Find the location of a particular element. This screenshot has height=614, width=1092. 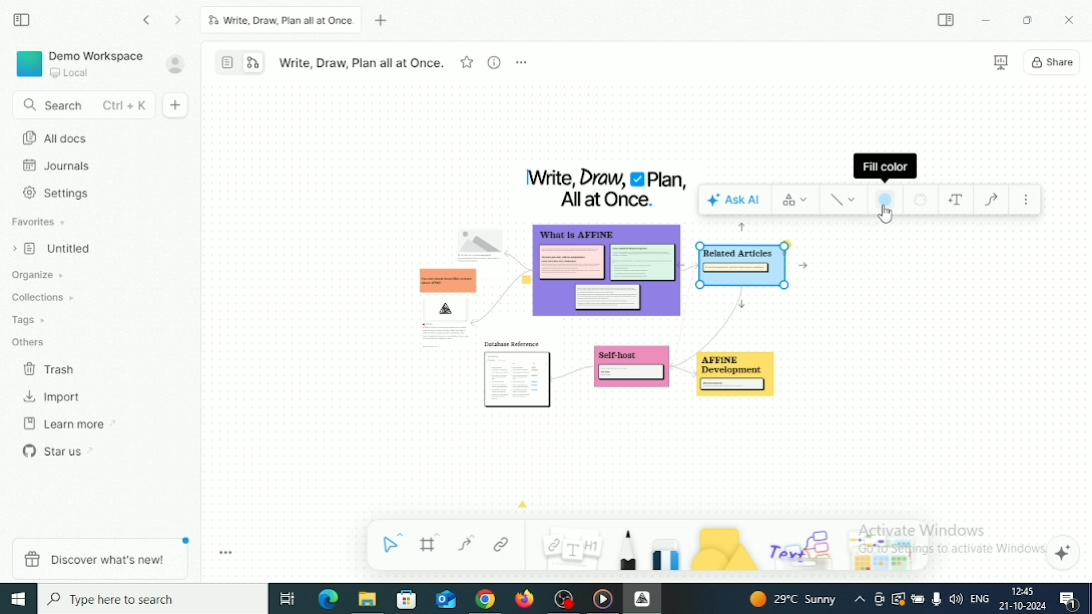

Star us is located at coordinates (59, 450).